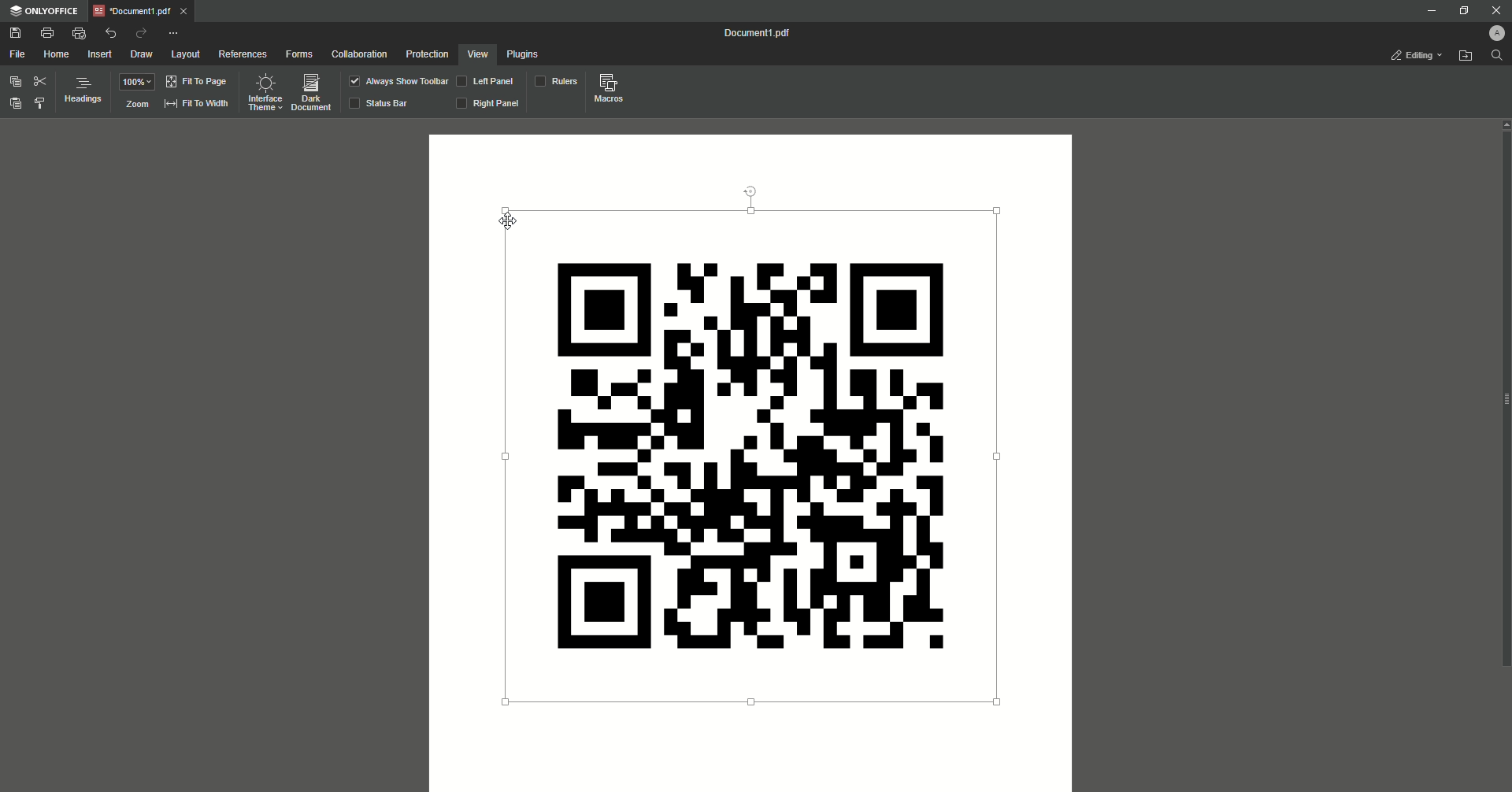 This screenshot has width=1512, height=792. What do you see at coordinates (524, 56) in the screenshot?
I see `Plugins` at bounding box center [524, 56].